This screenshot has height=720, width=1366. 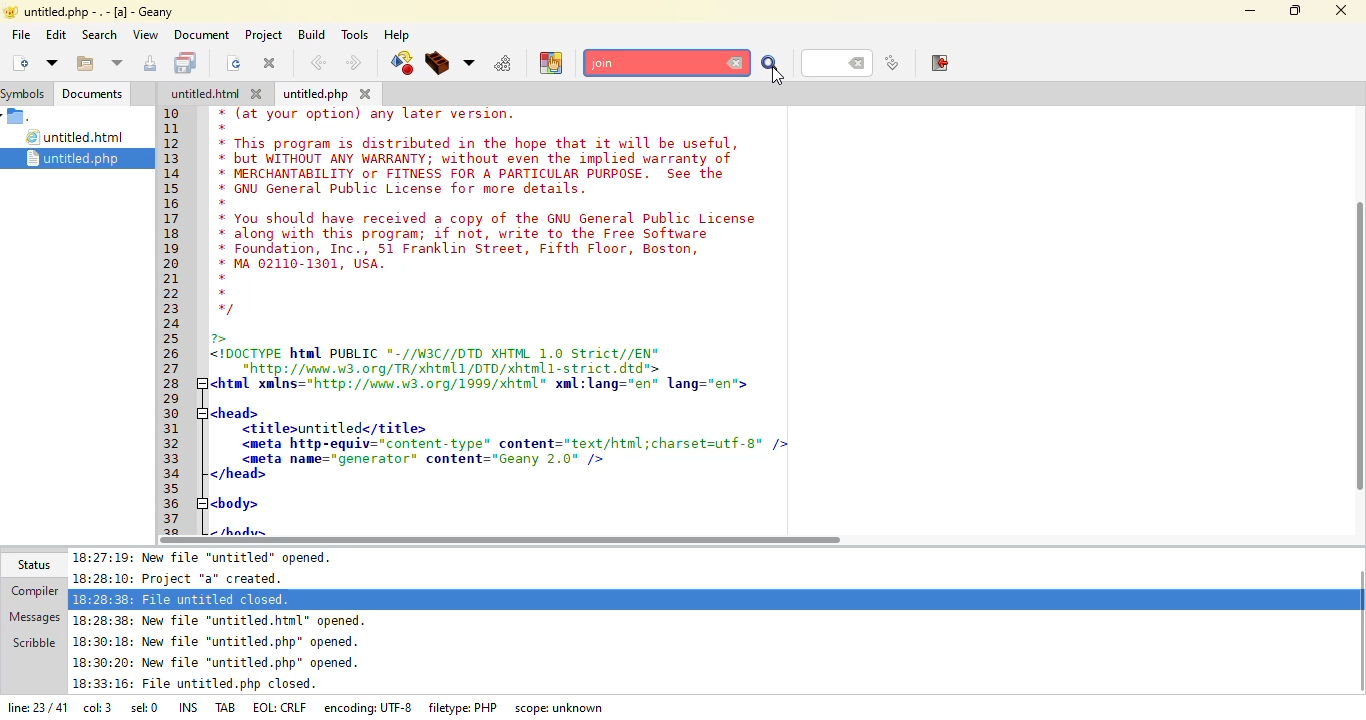 What do you see at coordinates (171, 143) in the screenshot?
I see `12` at bounding box center [171, 143].